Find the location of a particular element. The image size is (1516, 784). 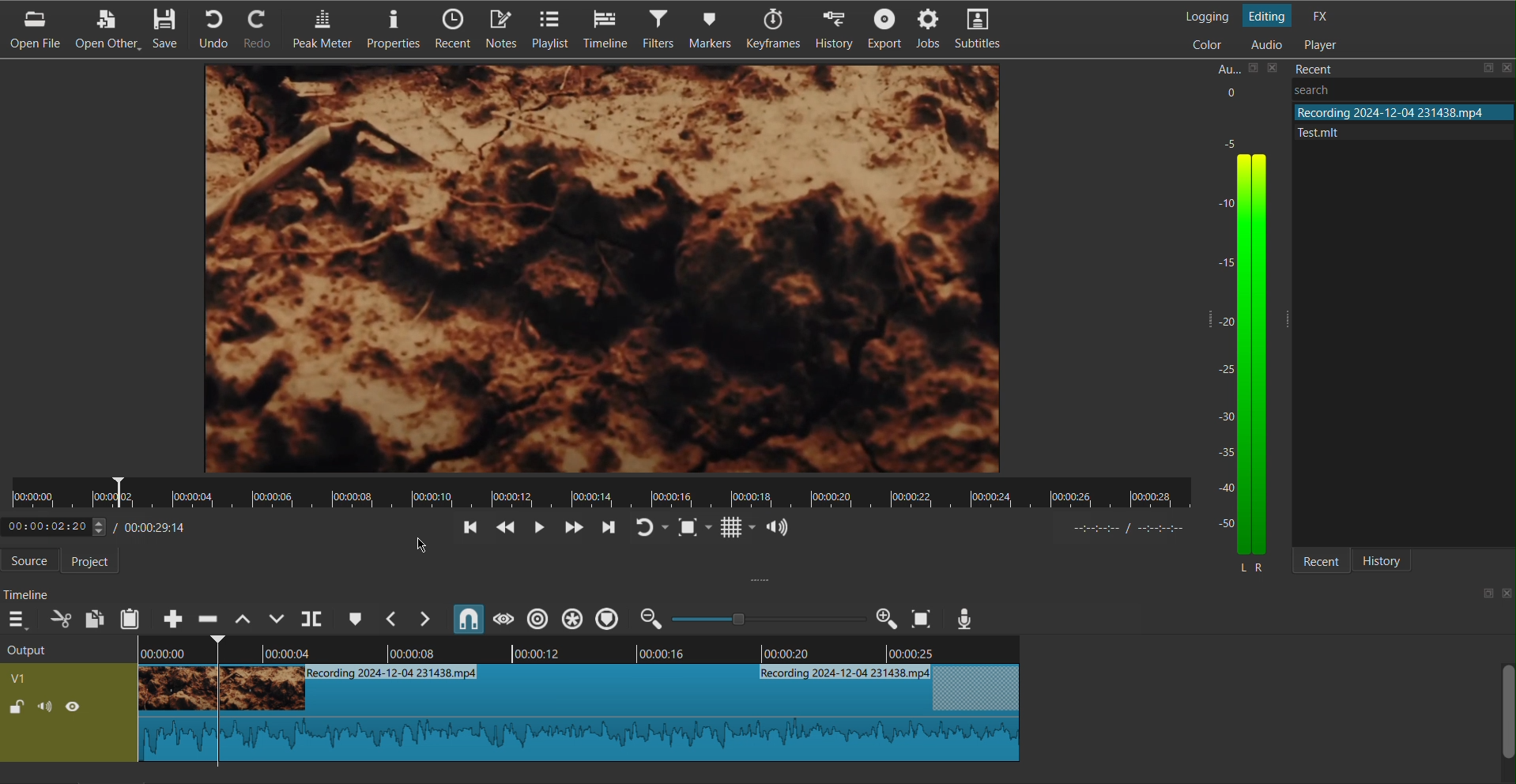

First Split is located at coordinates (168, 699).